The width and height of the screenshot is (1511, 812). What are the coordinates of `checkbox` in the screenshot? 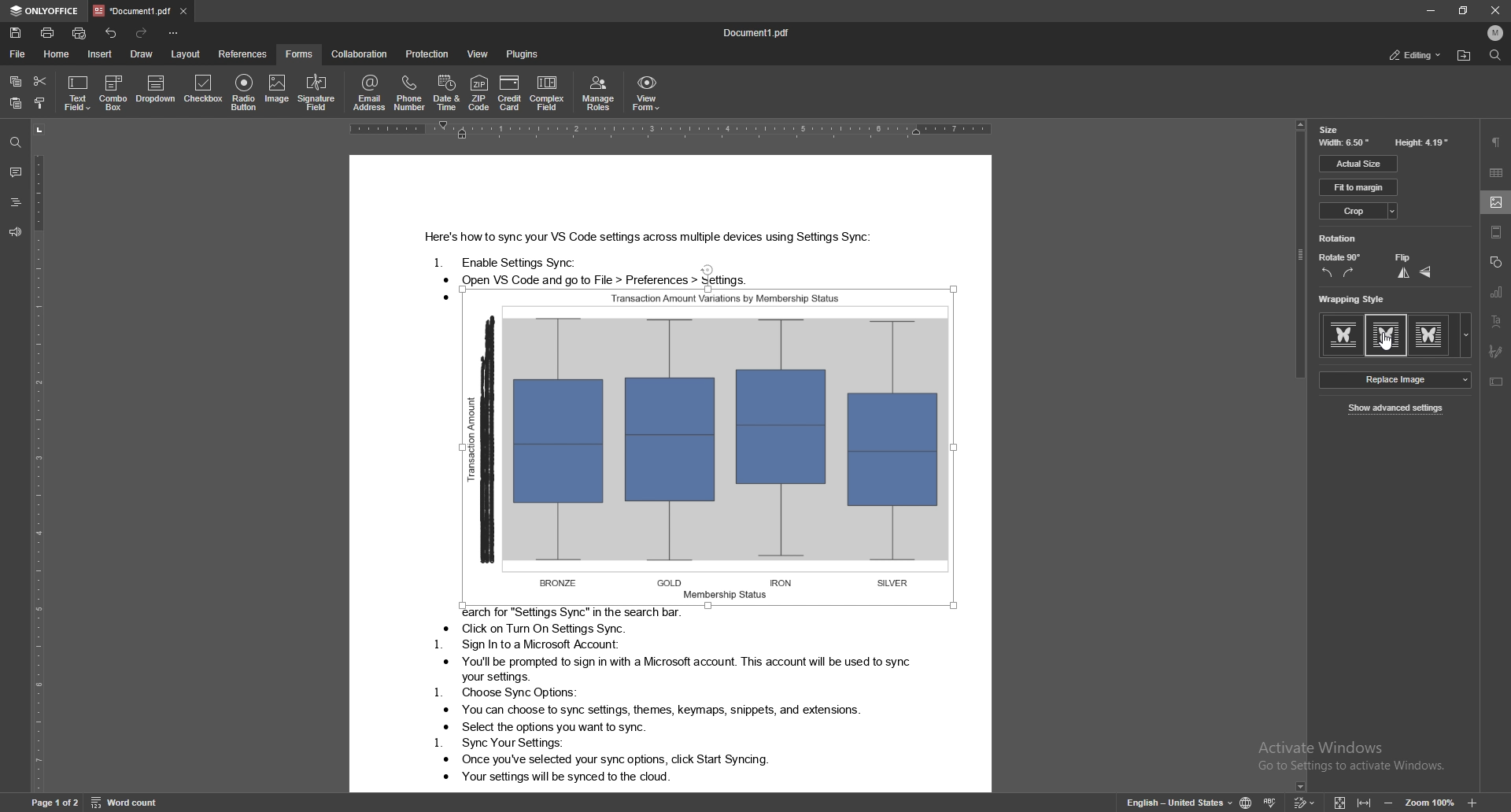 It's located at (205, 90).